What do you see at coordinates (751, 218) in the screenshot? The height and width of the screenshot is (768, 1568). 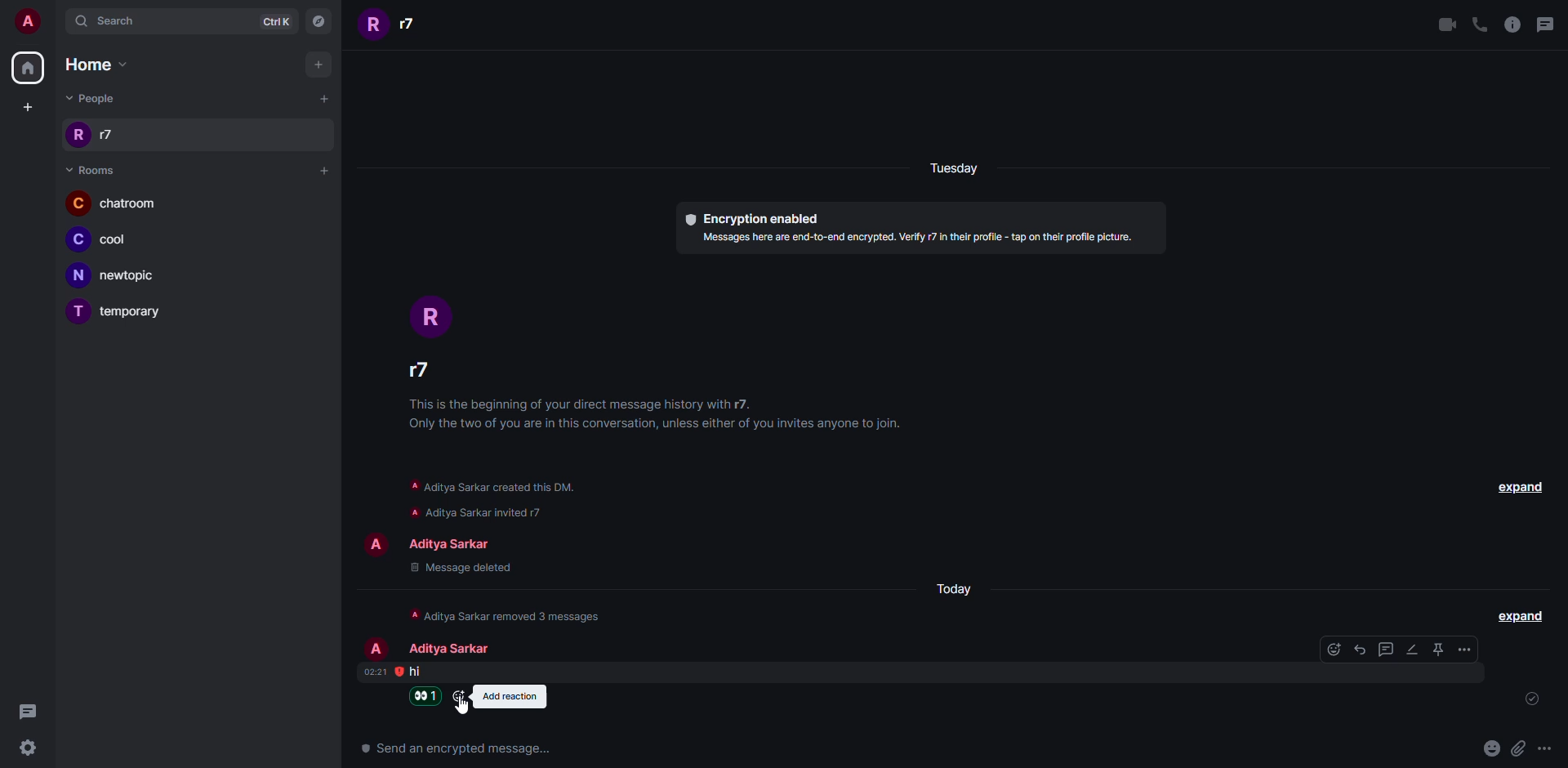 I see `encryption enabled` at bounding box center [751, 218].